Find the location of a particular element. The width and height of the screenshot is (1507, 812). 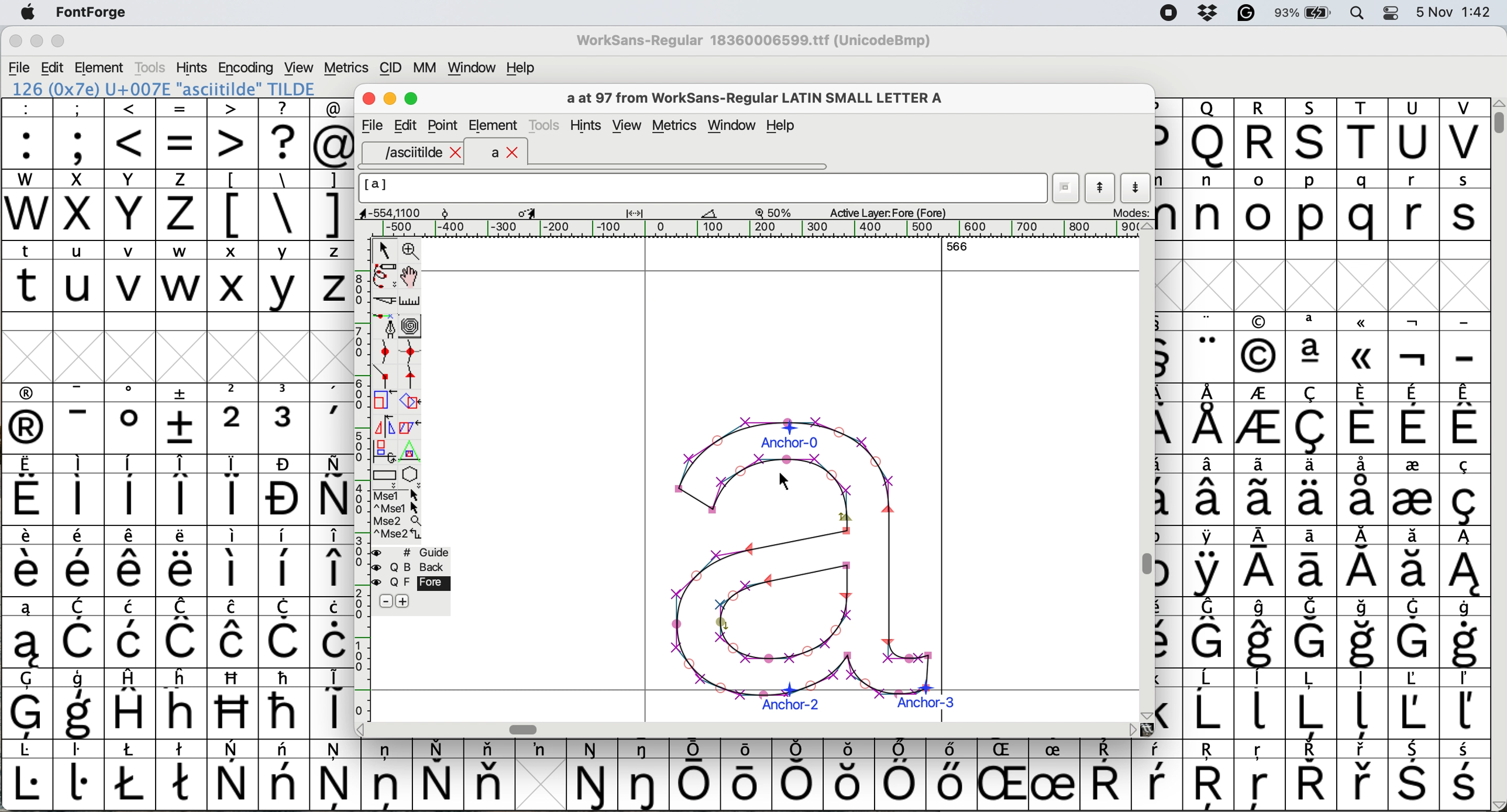

modes is located at coordinates (1130, 212).